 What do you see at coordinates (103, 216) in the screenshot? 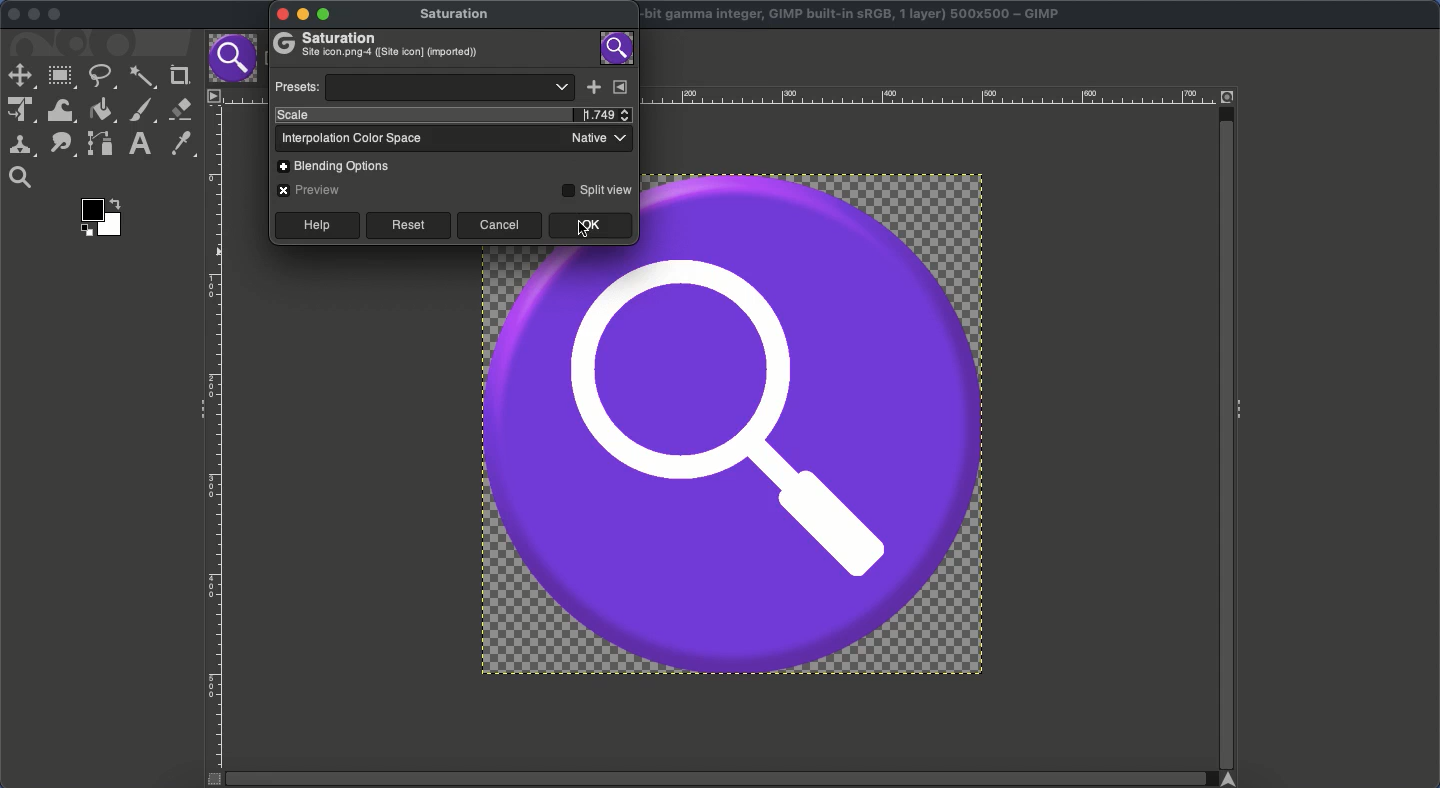
I see `Color` at bounding box center [103, 216].